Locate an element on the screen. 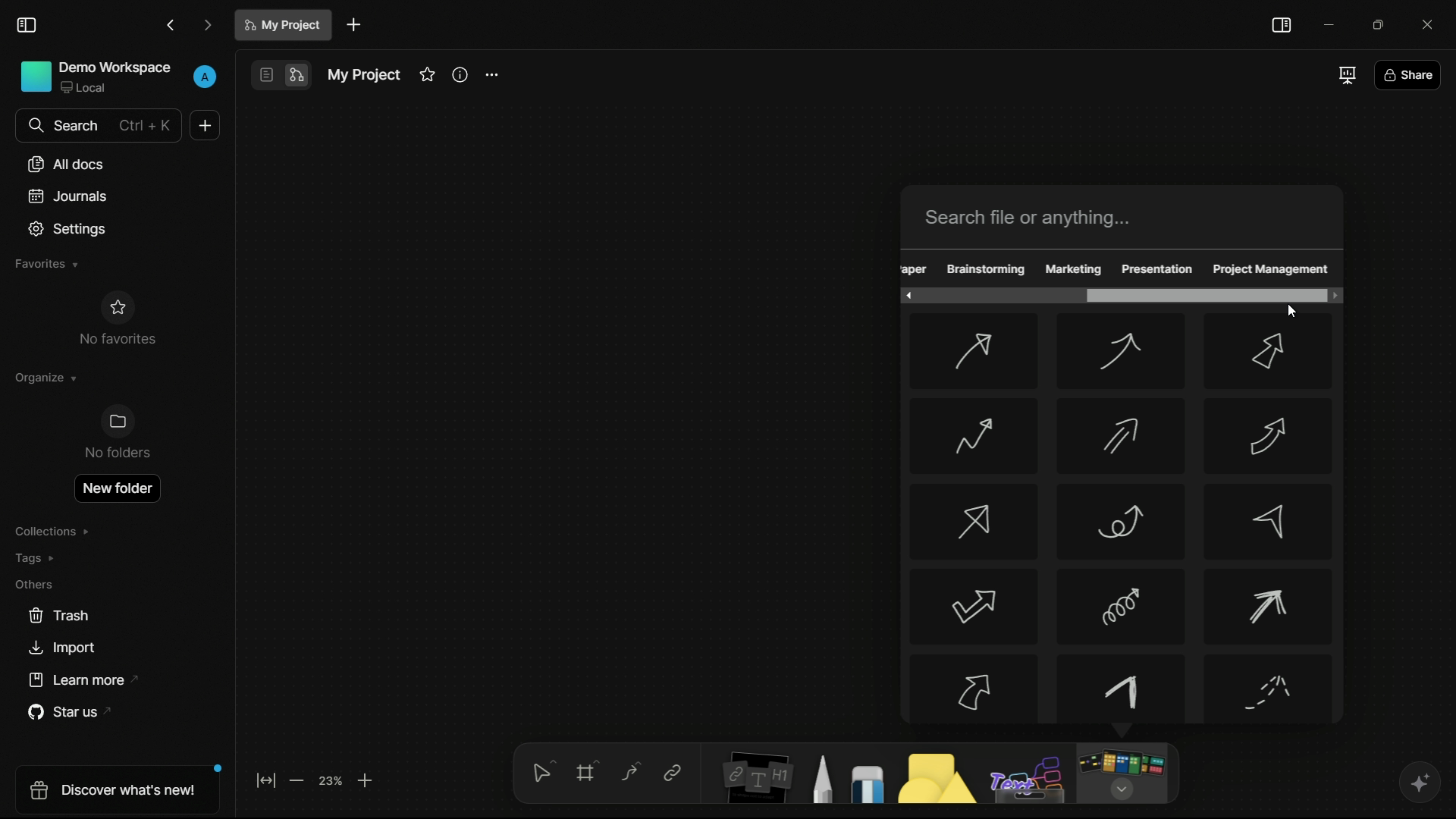  settings is located at coordinates (491, 76).